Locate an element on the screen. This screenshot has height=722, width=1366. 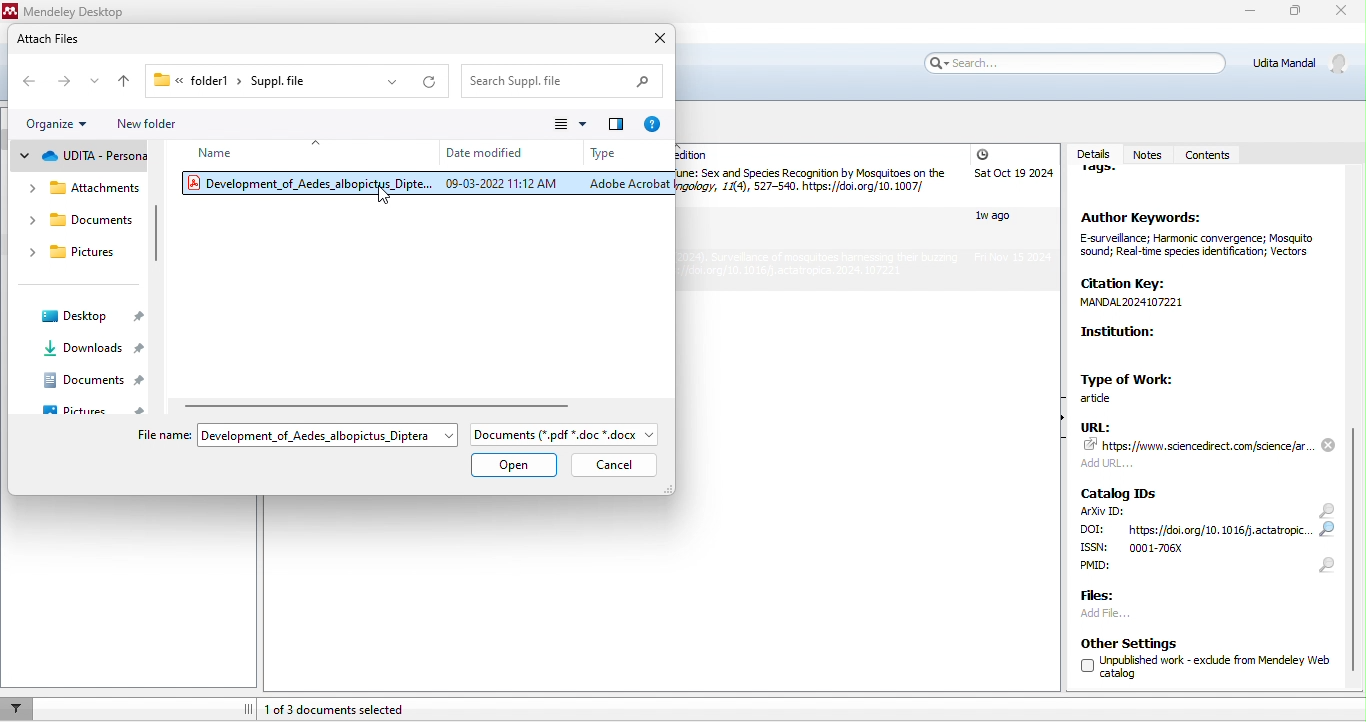
type of work is located at coordinates (1136, 386).